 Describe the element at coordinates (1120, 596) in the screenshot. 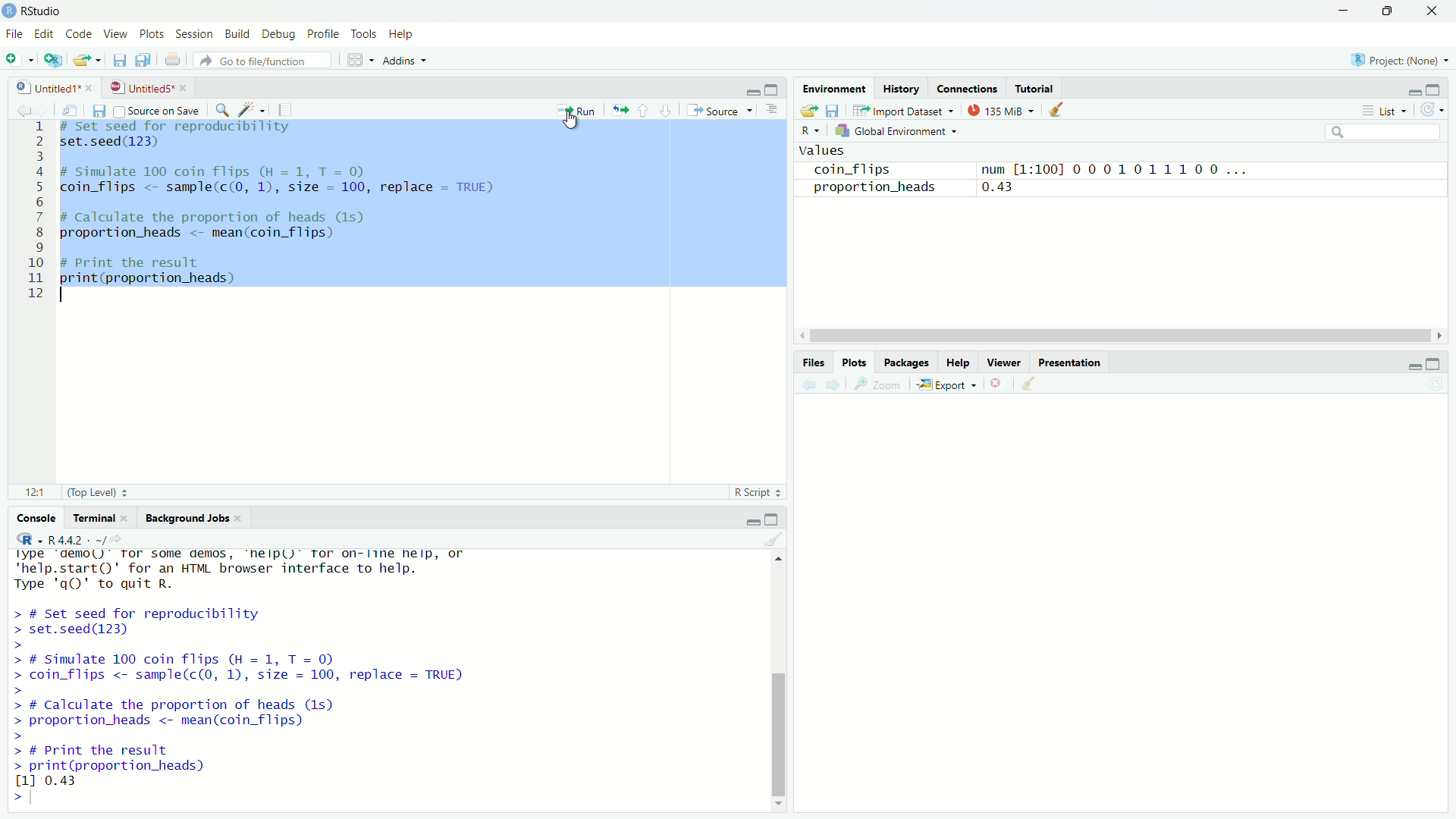

I see `` at that location.